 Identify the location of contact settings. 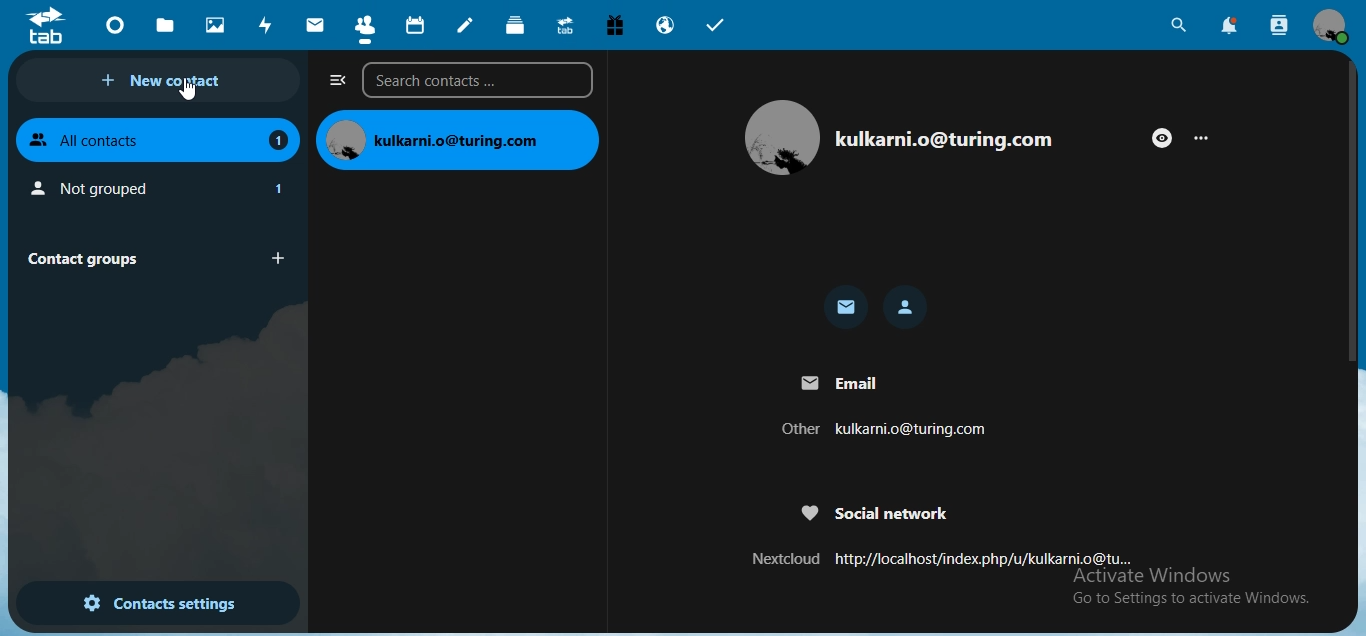
(158, 602).